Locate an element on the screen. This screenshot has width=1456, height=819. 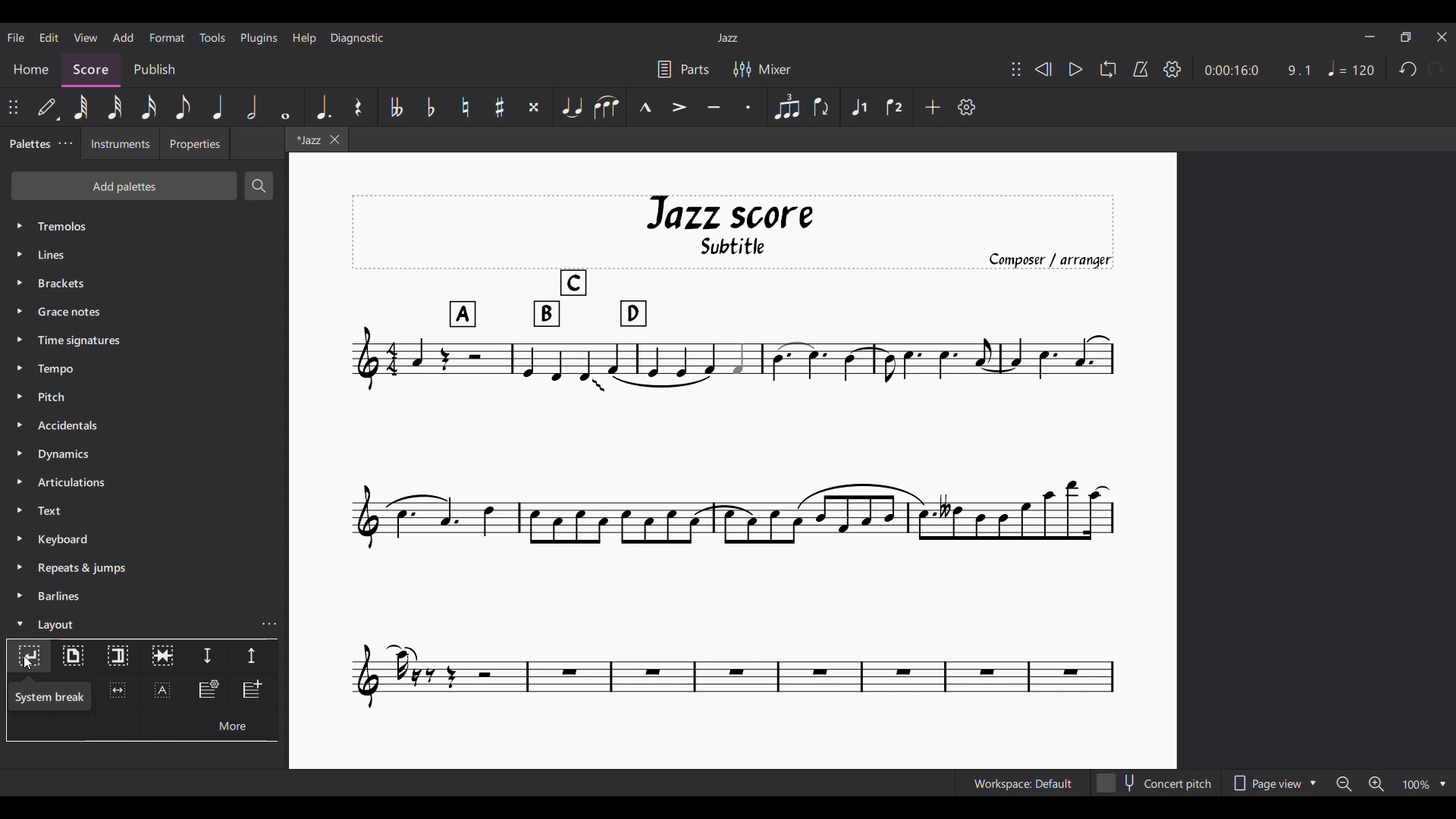
Publish section is located at coordinates (155, 71).